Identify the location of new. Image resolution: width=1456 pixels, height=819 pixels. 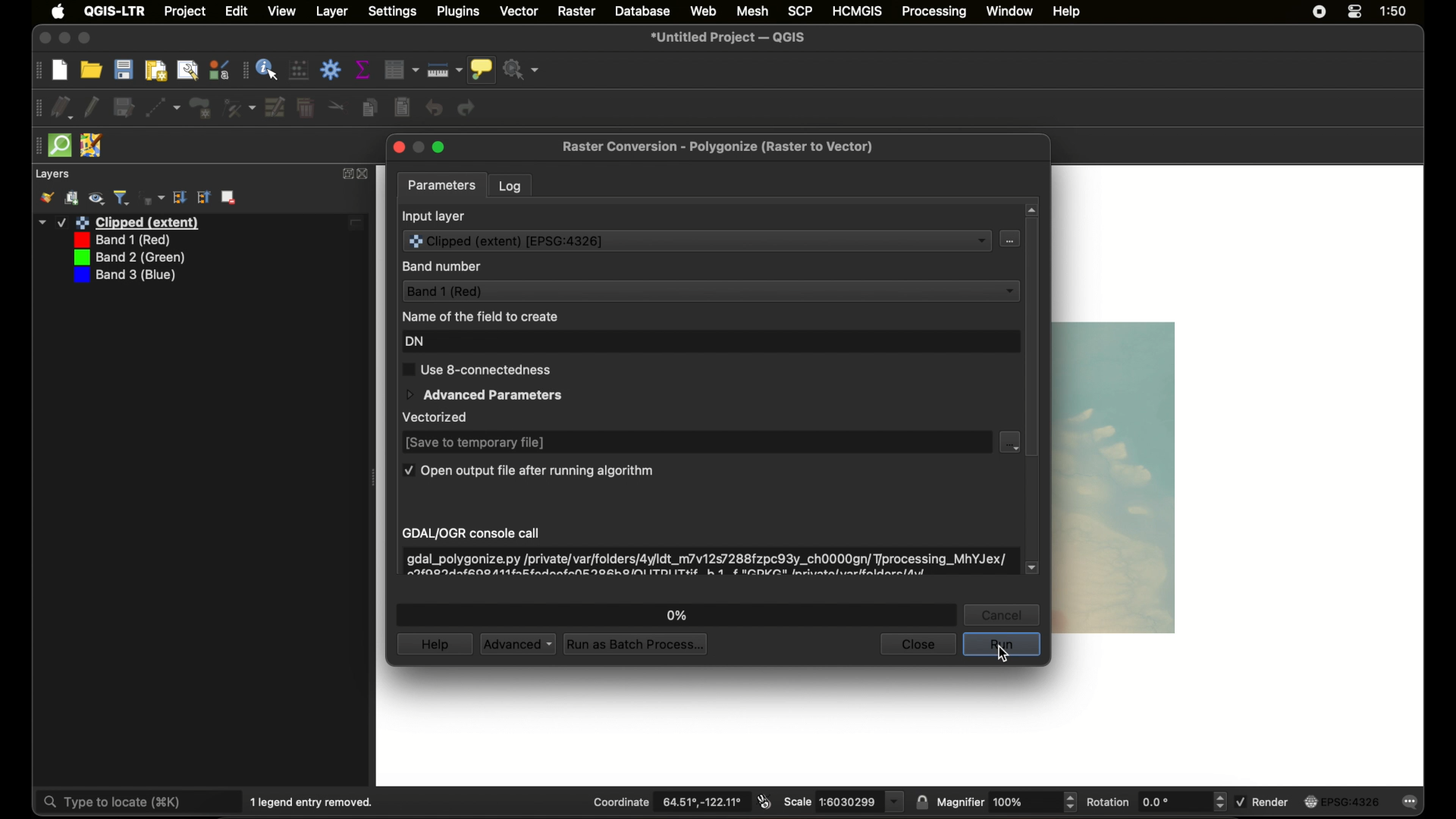
(60, 71).